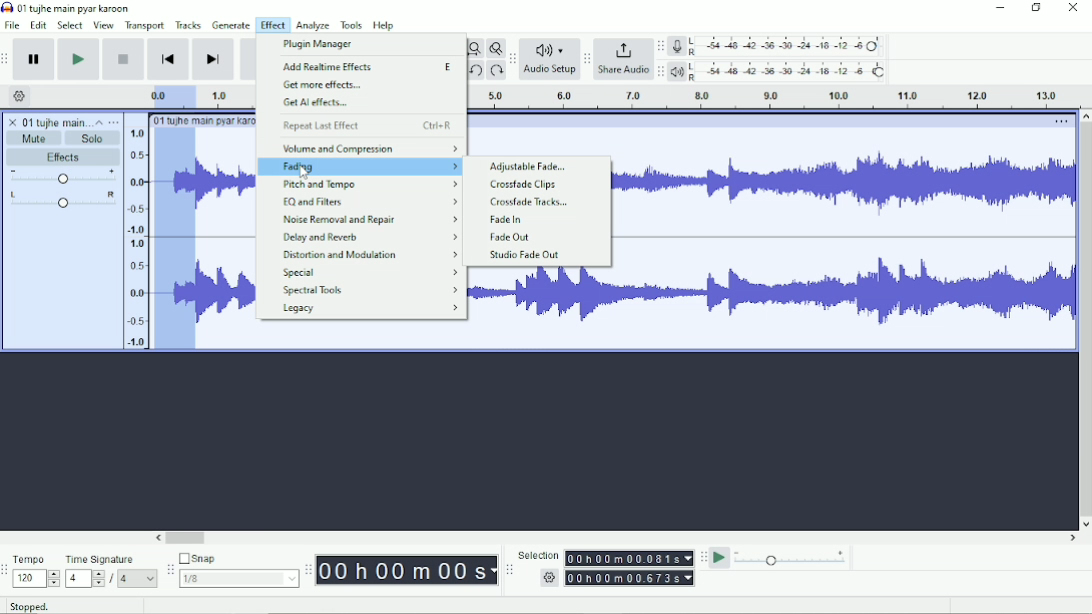 This screenshot has height=614, width=1092. I want to click on Play duration, so click(769, 97).